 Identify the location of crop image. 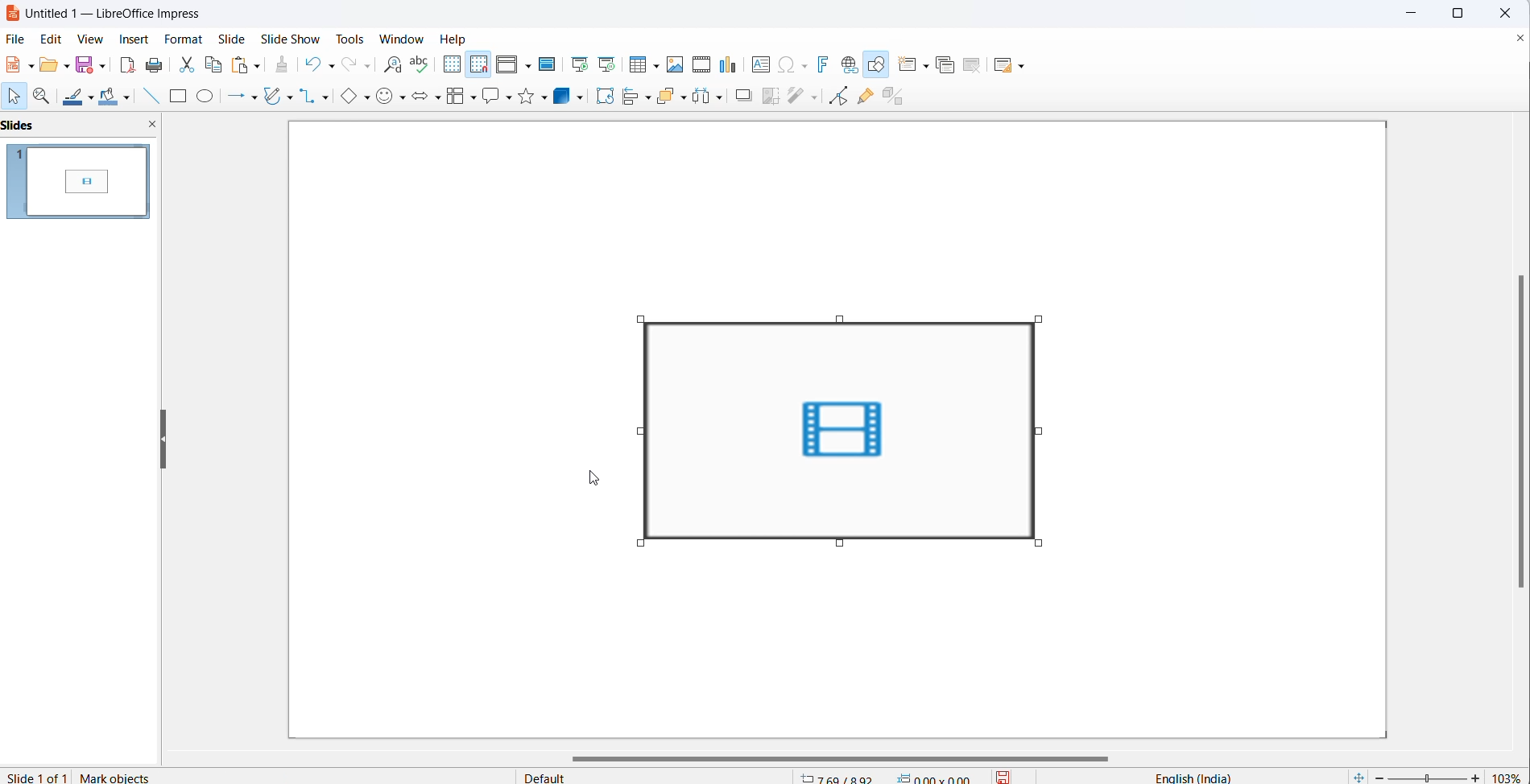
(772, 97).